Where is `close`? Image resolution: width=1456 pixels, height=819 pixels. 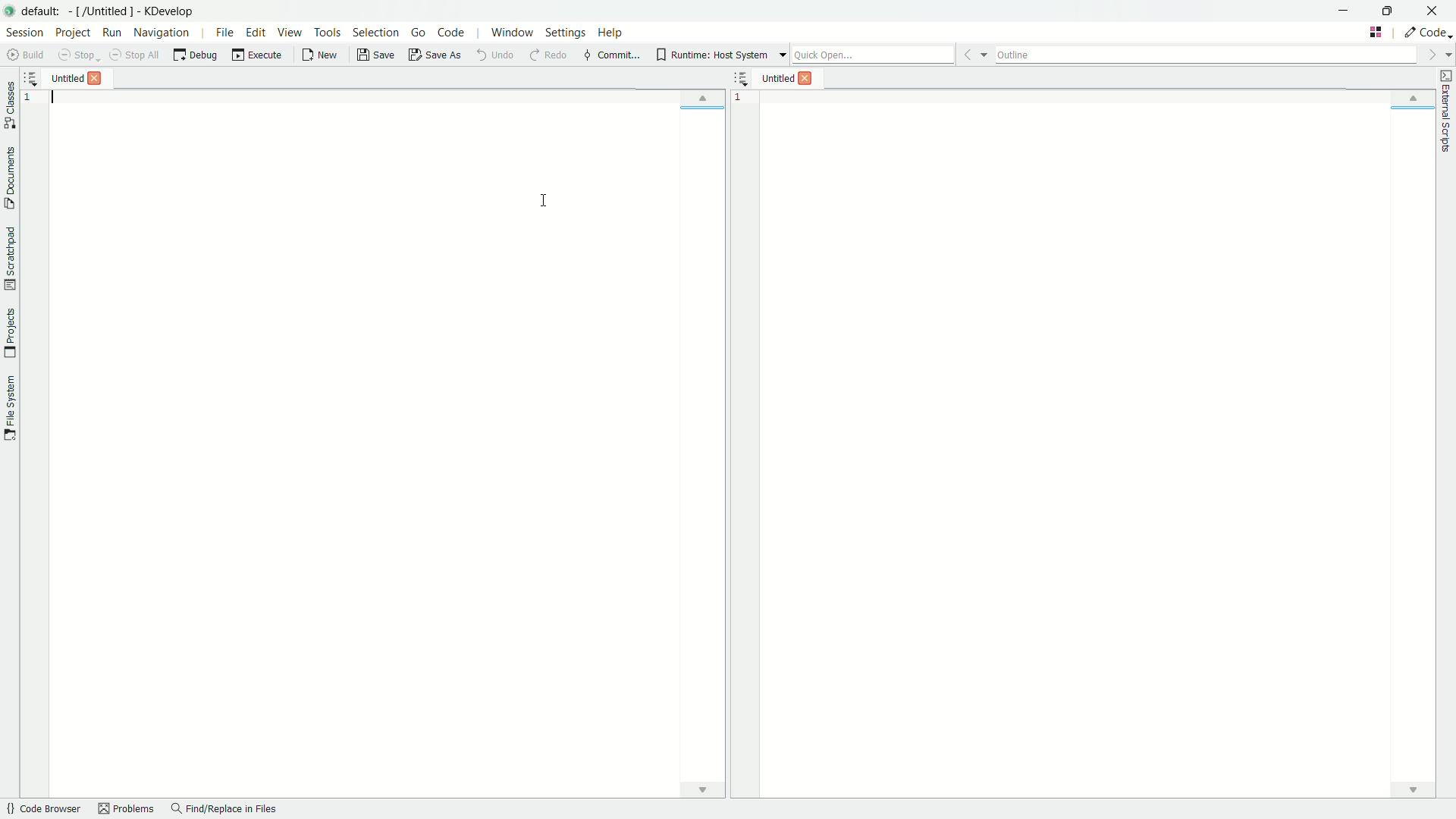 close is located at coordinates (805, 79).